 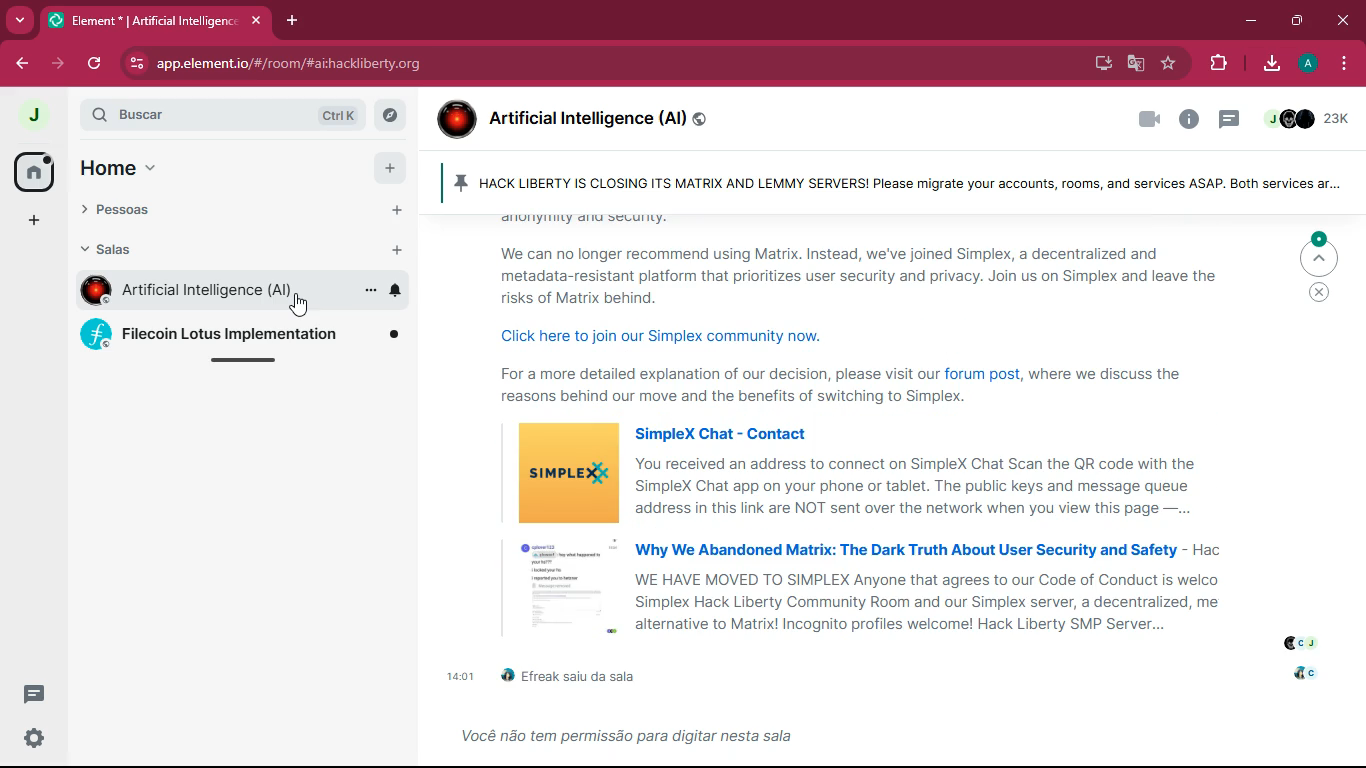 I want to click on desktop, so click(x=1099, y=65).